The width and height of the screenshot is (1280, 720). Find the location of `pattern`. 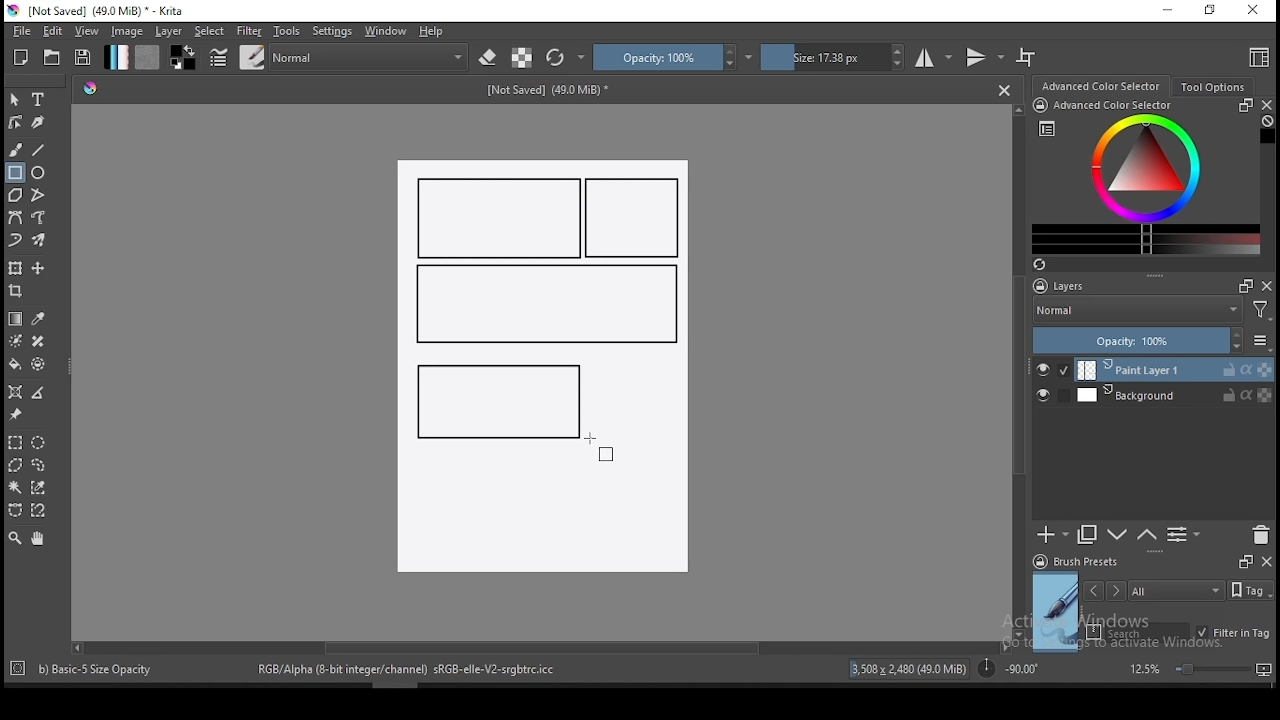

pattern is located at coordinates (147, 57).